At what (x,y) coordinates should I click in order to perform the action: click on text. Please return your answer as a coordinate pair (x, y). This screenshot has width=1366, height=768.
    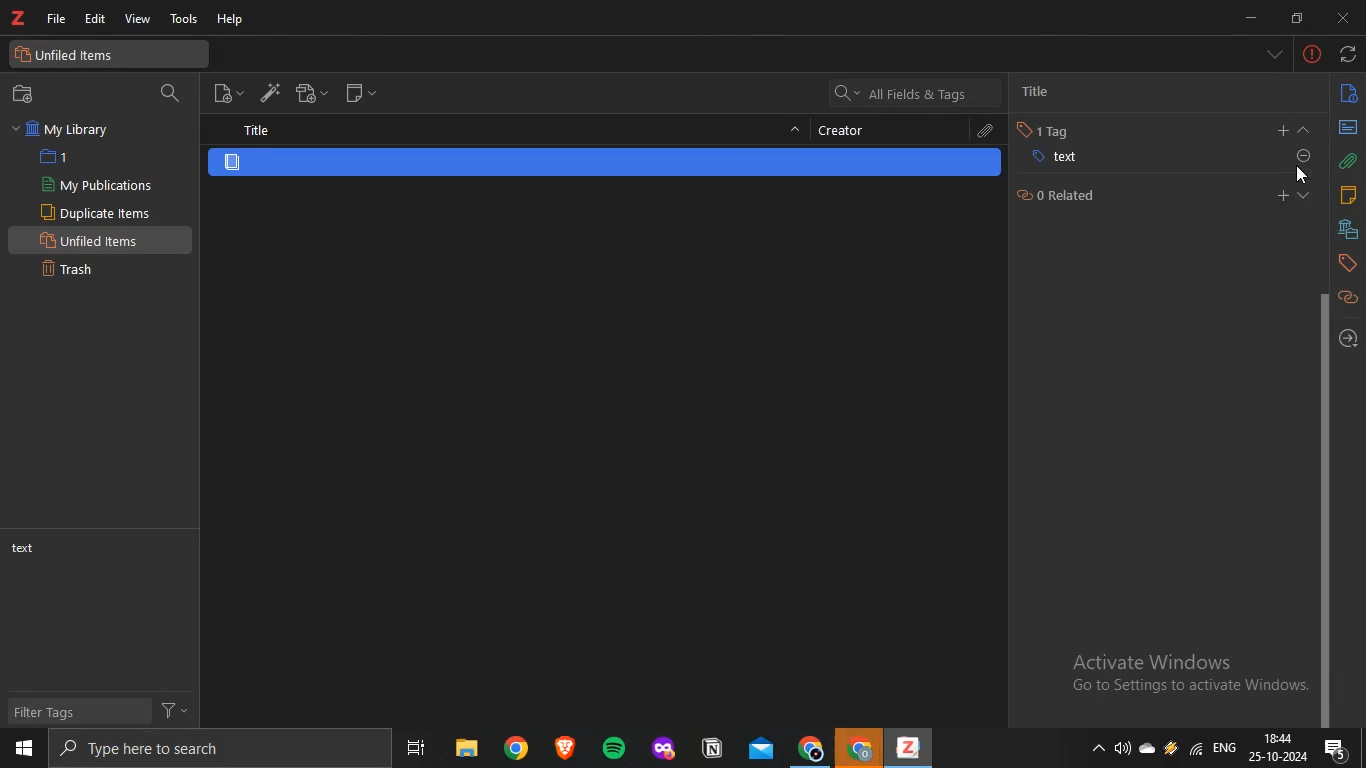
    Looking at the image, I should click on (21, 19).